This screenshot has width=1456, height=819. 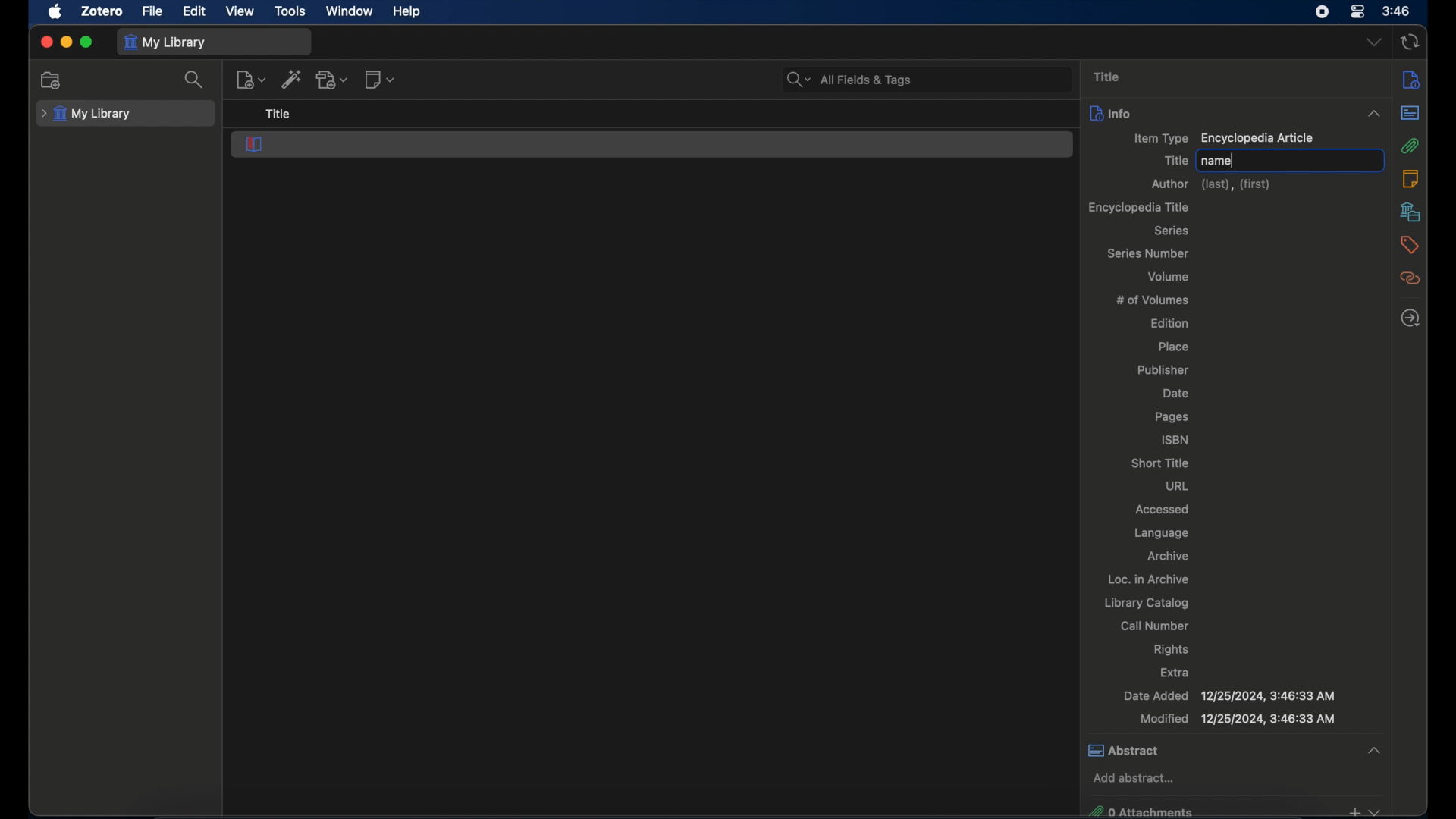 What do you see at coordinates (278, 115) in the screenshot?
I see `title` at bounding box center [278, 115].